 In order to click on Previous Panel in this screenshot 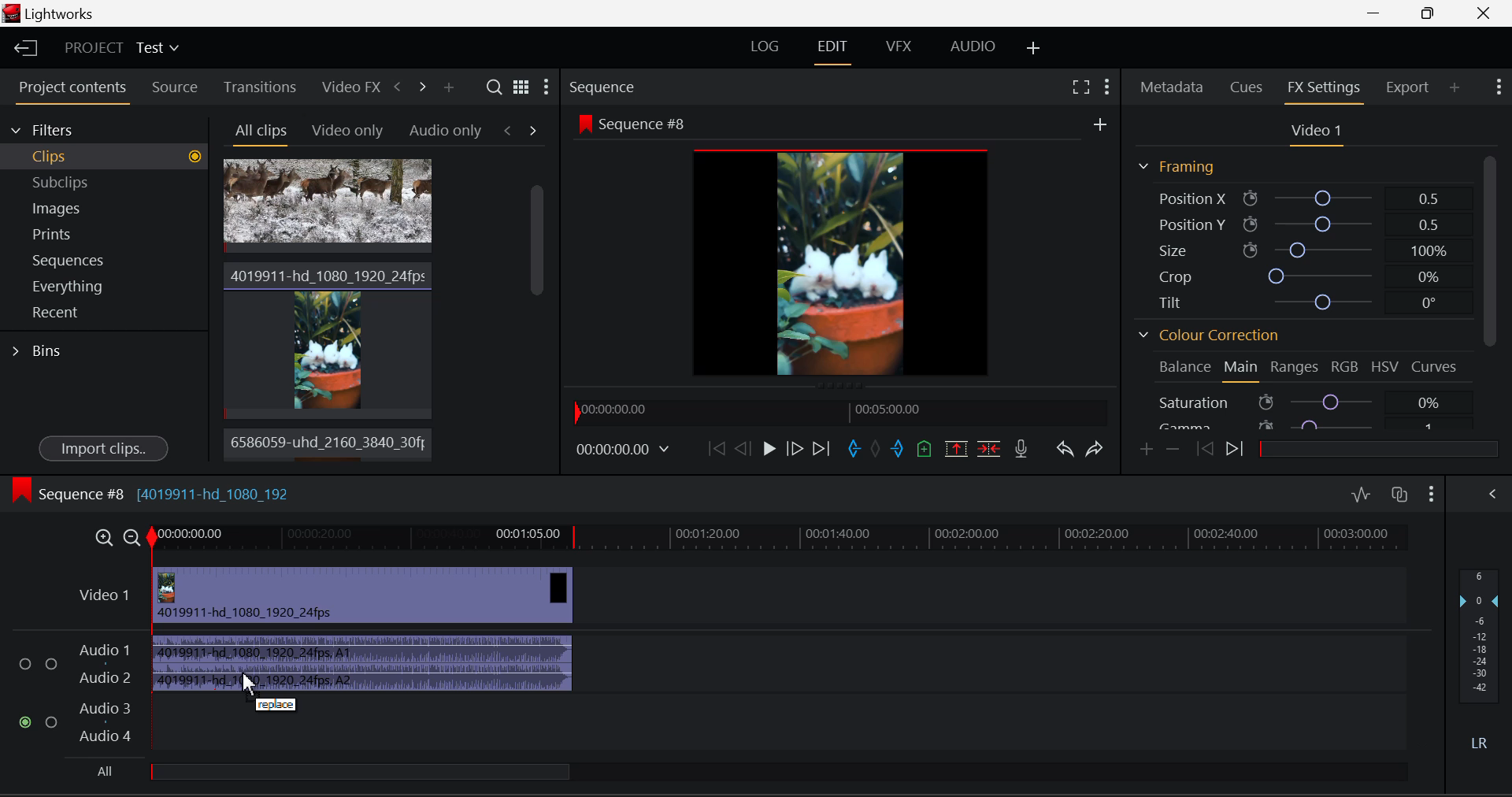, I will do `click(397, 89)`.